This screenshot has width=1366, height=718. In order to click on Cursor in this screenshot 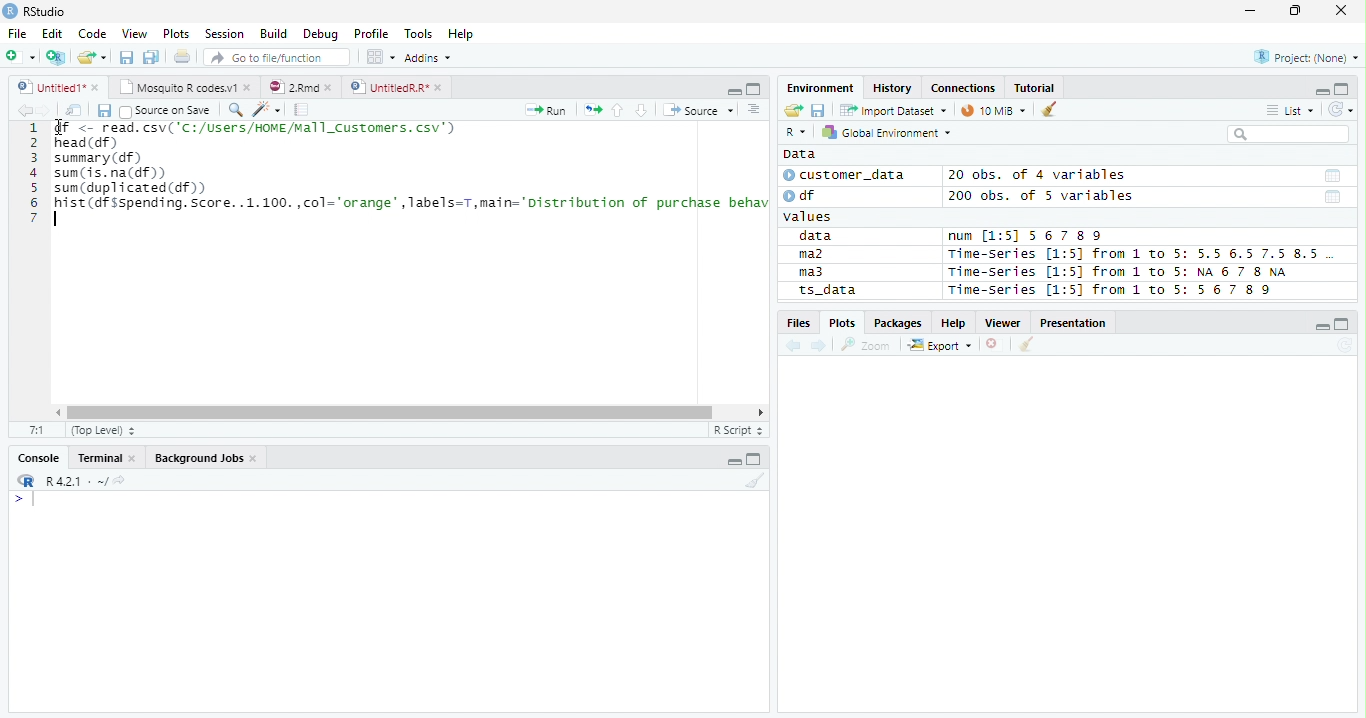, I will do `click(60, 130)`.